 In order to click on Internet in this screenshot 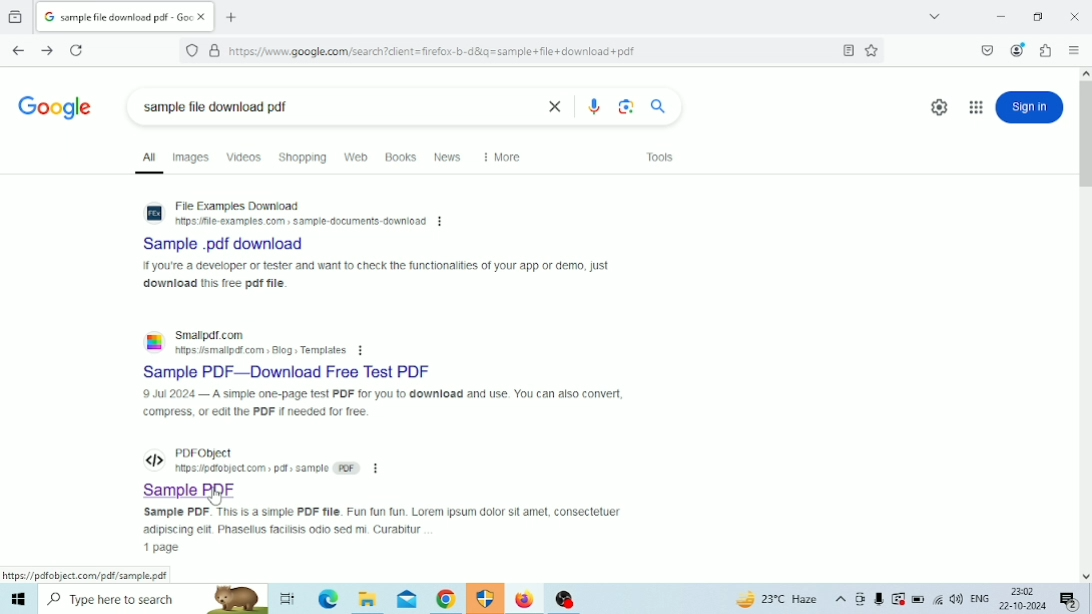, I will do `click(938, 599)`.